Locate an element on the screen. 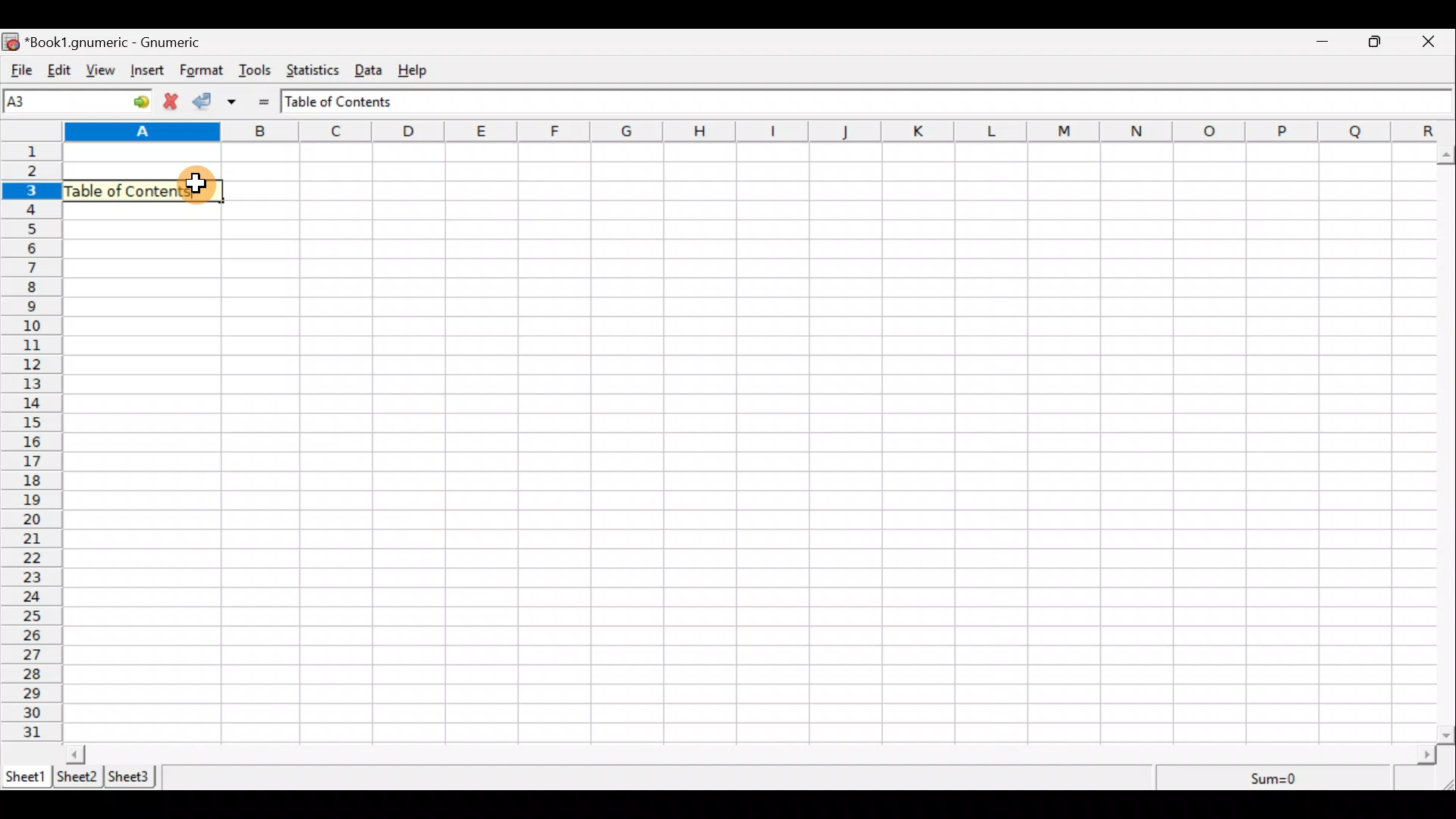 The image size is (1456, 819). Scroll bar is located at coordinates (1447, 441).